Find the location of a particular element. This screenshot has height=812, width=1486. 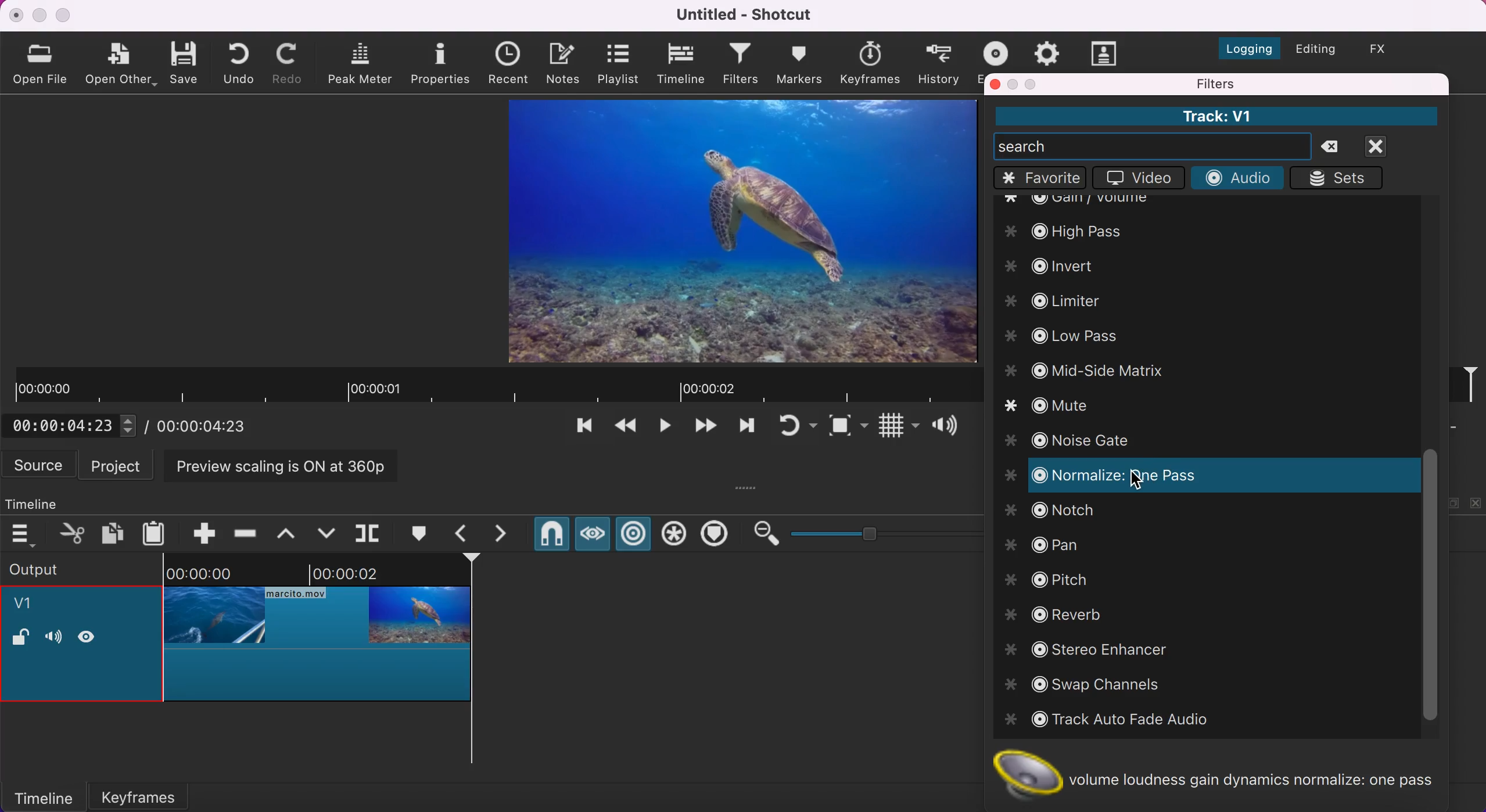

Scrollbarr is located at coordinates (1430, 587).